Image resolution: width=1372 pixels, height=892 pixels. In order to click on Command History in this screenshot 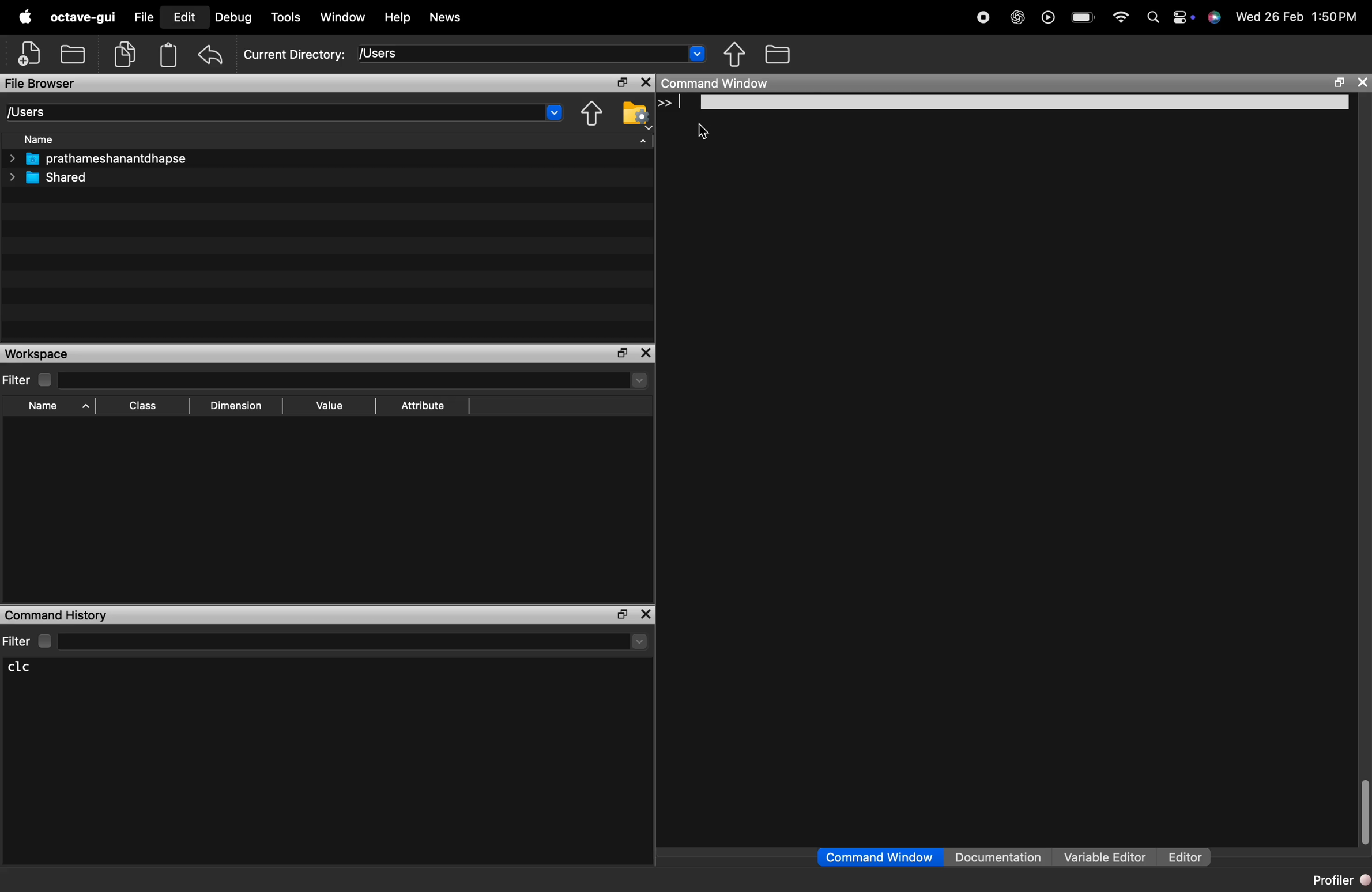, I will do `click(57, 614)`.